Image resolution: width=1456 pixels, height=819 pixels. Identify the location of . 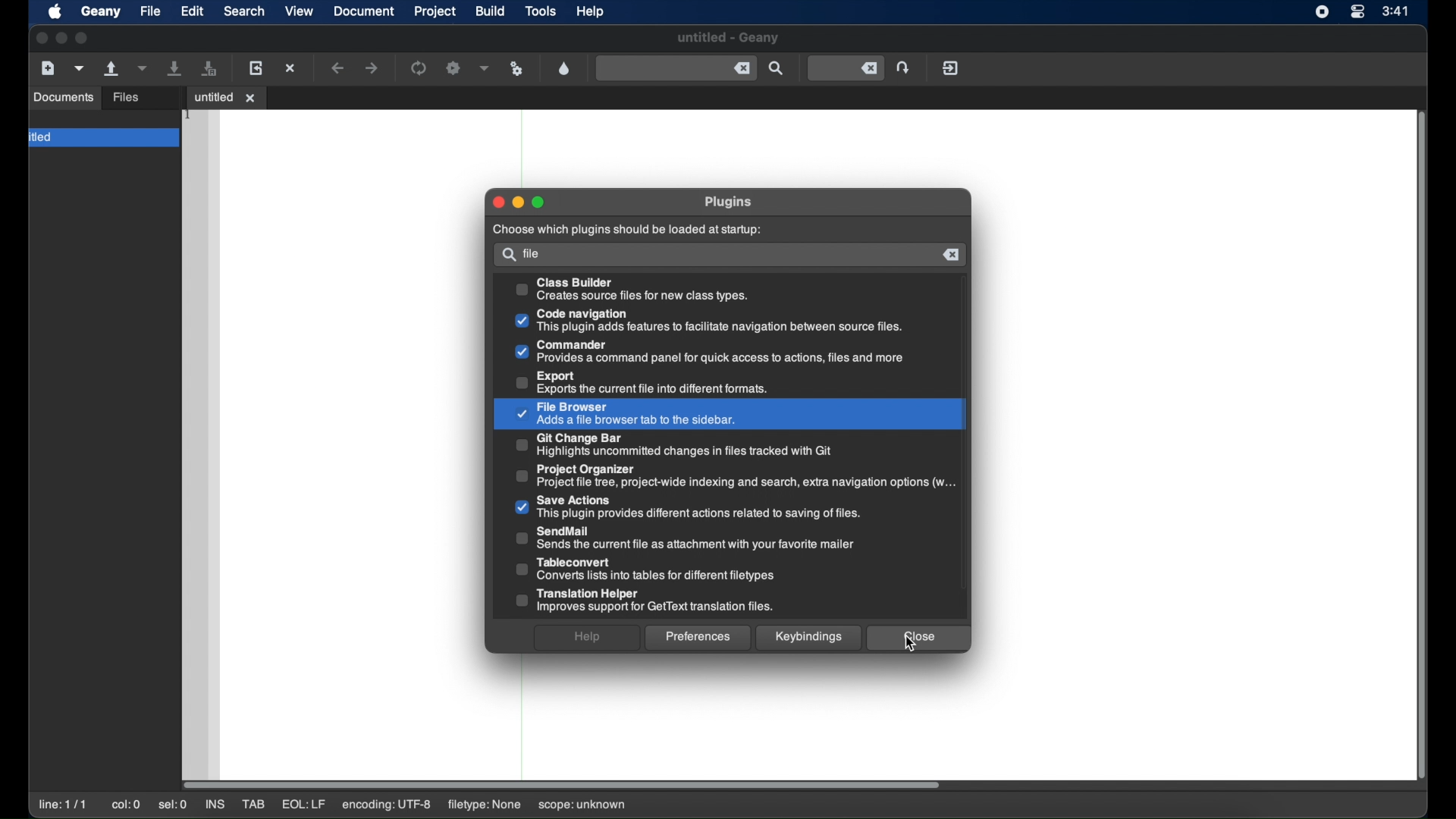
(726, 203).